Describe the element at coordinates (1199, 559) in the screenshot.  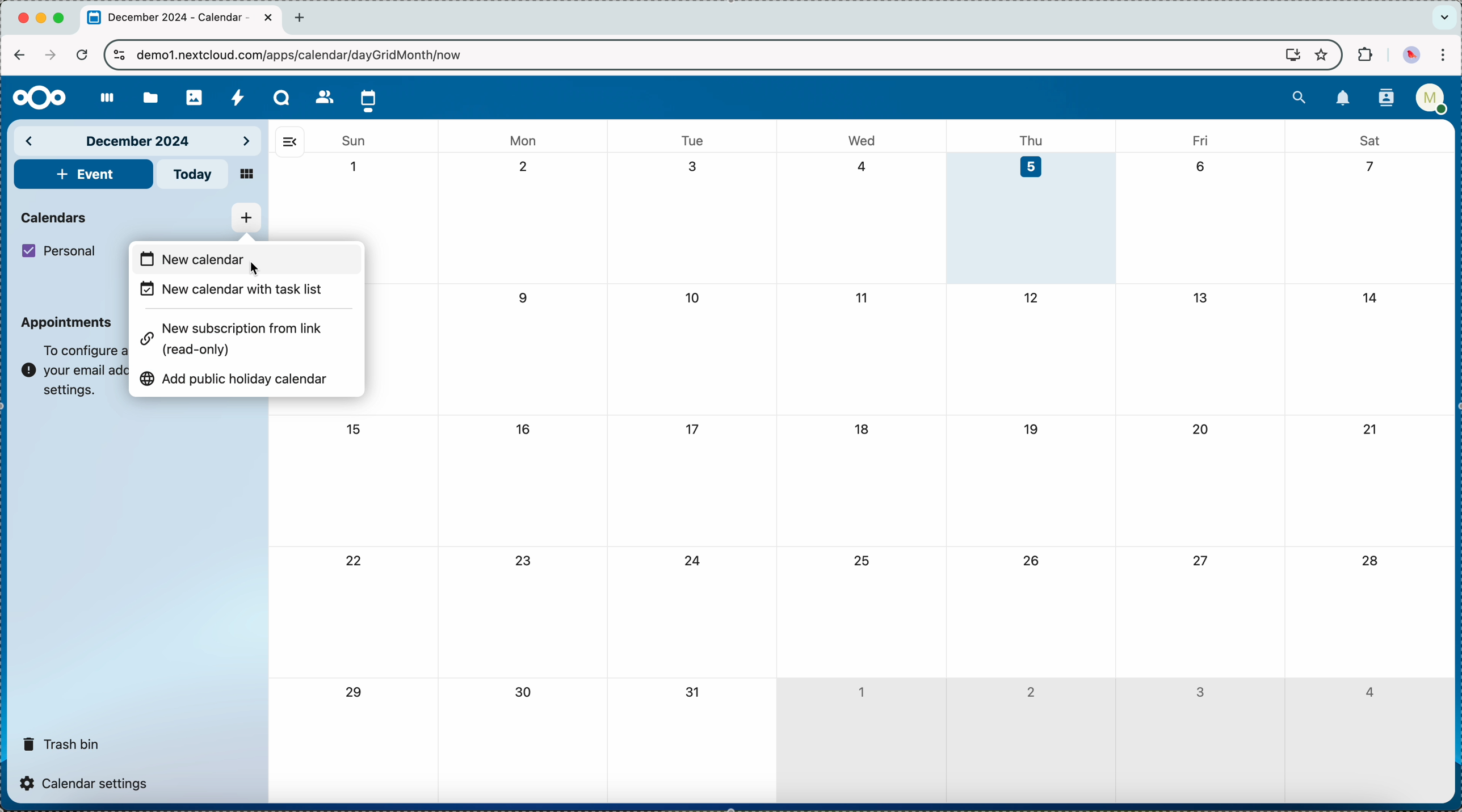
I see `27` at that location.